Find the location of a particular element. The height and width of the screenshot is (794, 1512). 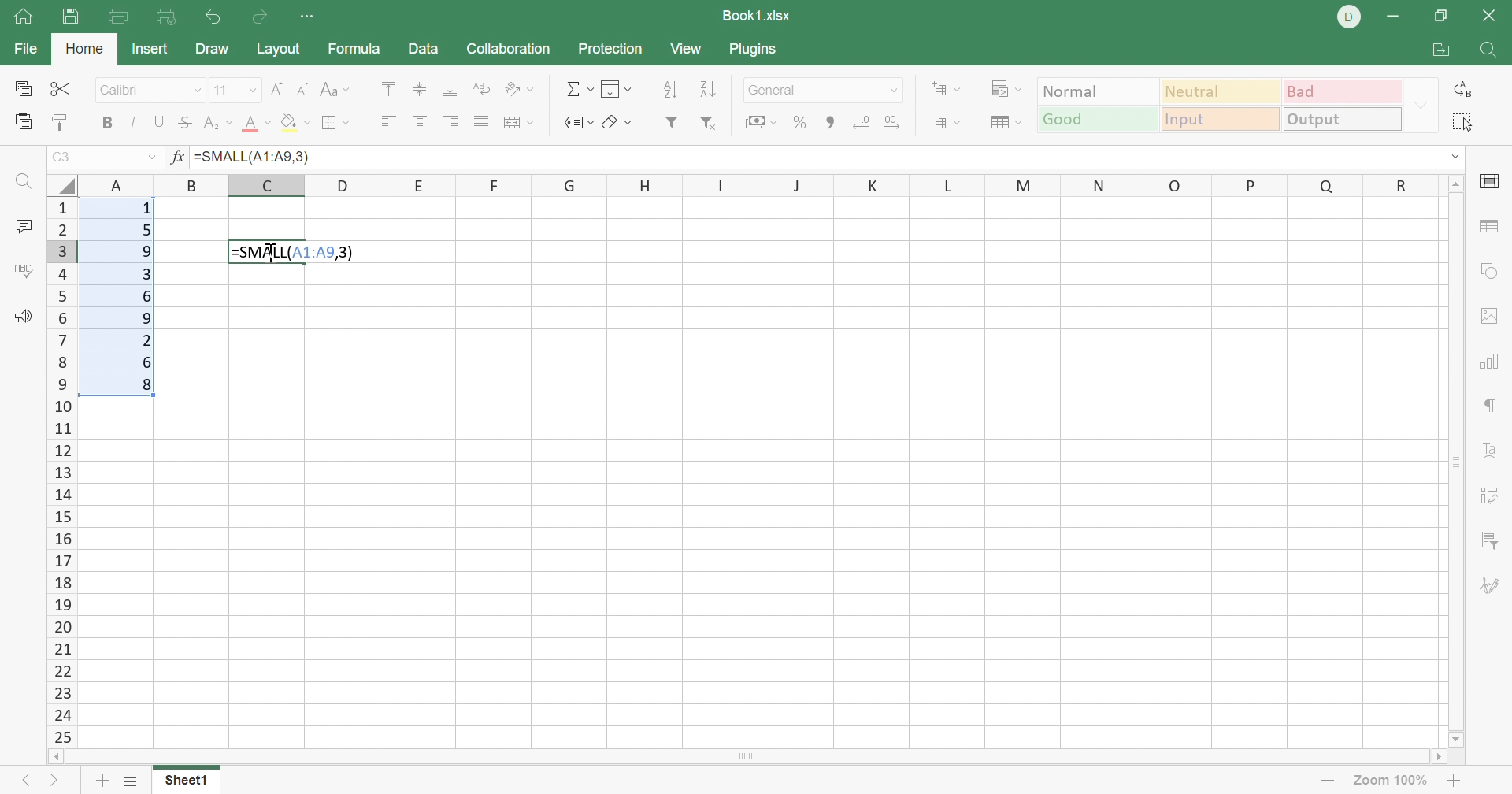

Redo is located at coordinates (258, 18).